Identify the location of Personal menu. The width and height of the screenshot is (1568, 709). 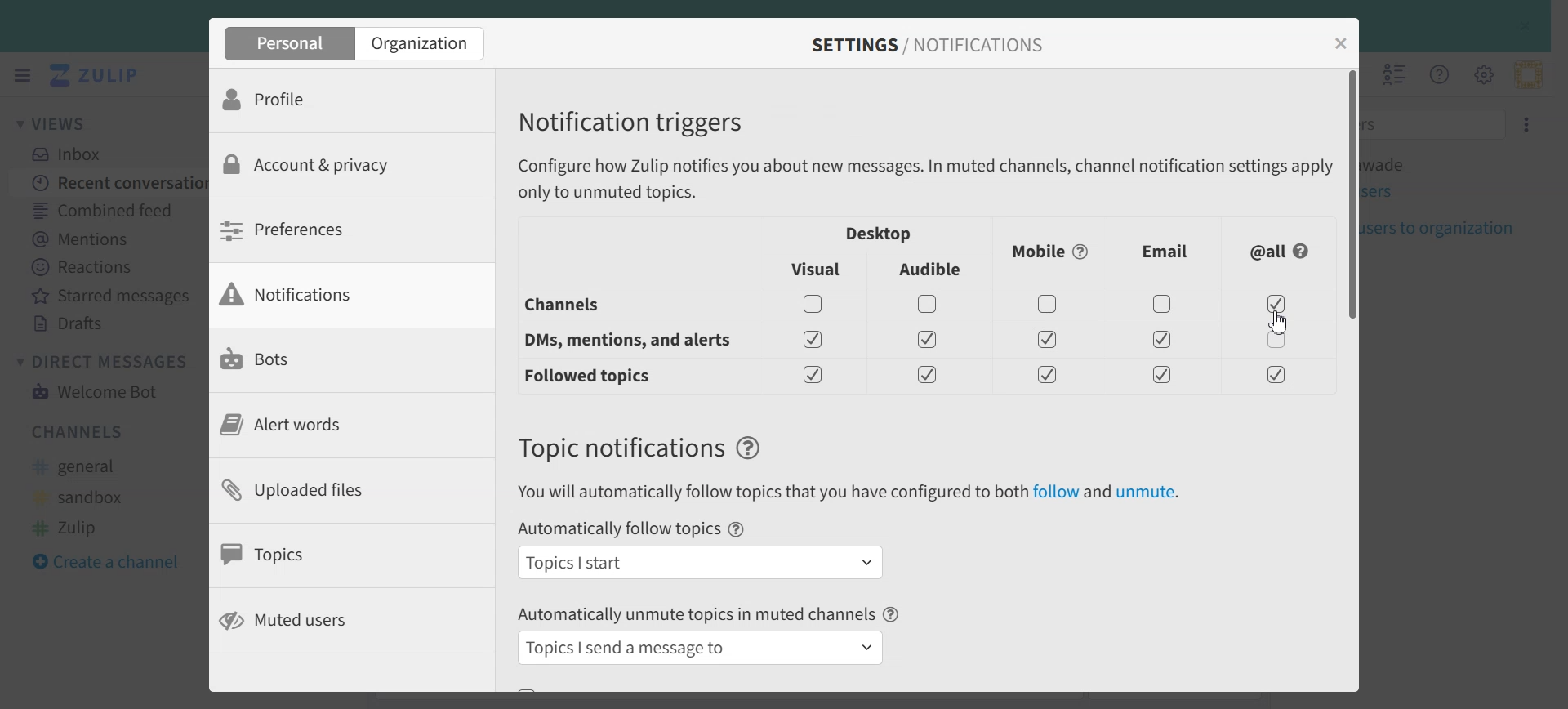
(1528, 74).